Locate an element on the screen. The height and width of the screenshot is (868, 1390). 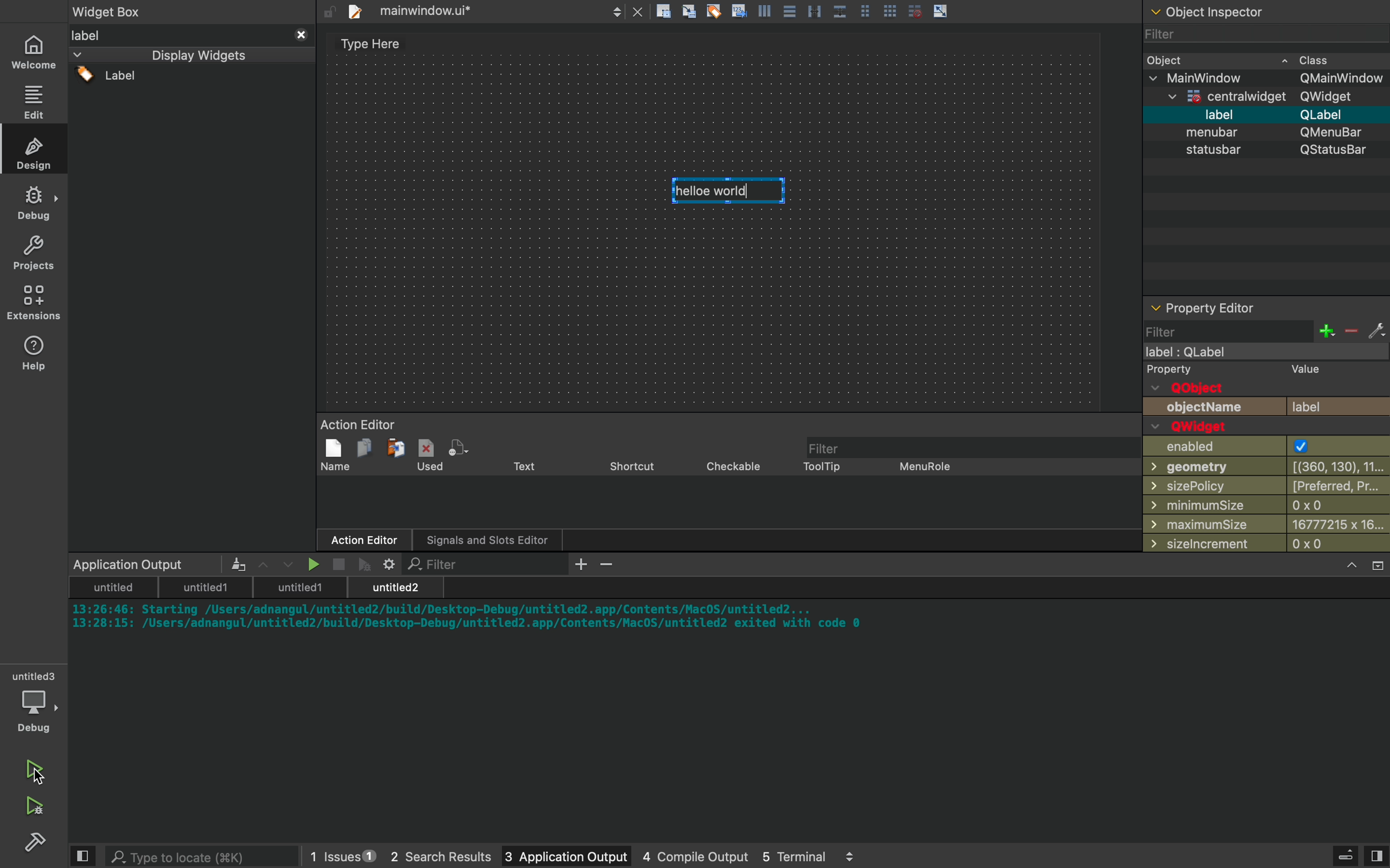
debug and run is located at coordinates (34, 805).